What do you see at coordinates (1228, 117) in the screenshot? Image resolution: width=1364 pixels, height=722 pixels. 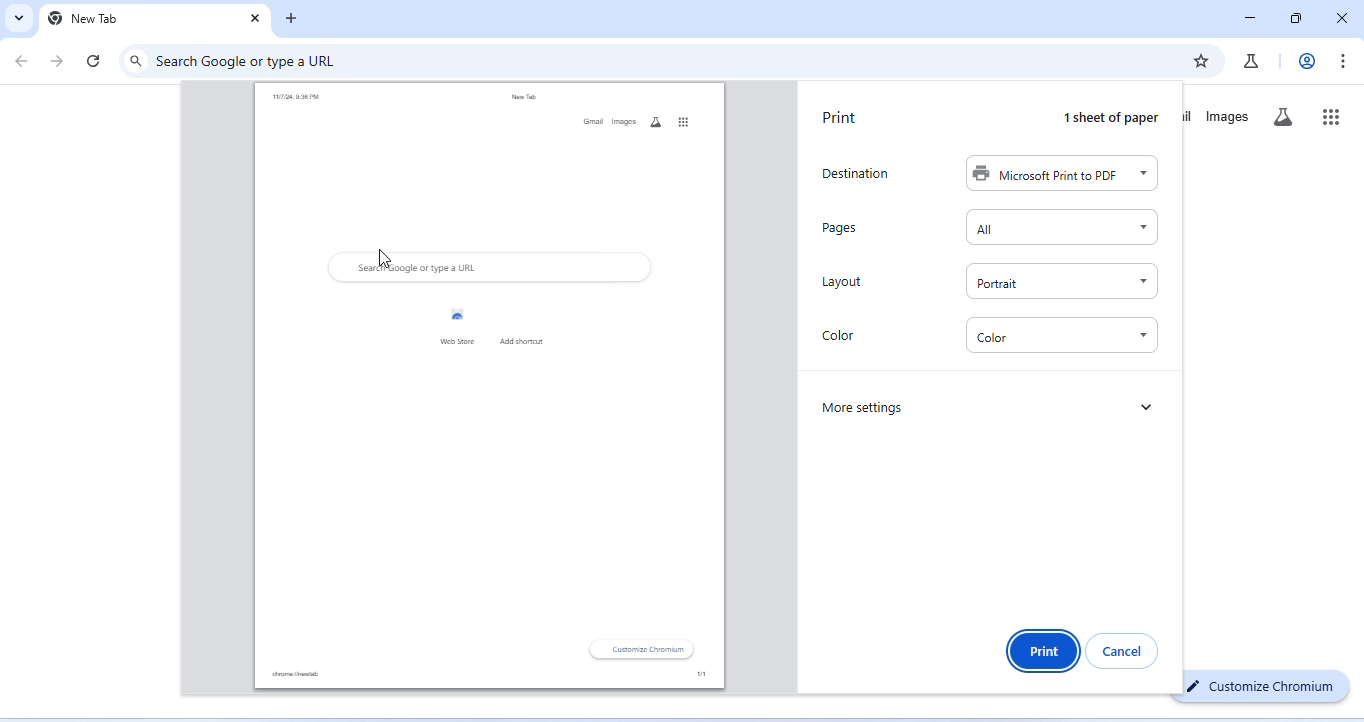 I see `images` at bounding box center [1228, 117].